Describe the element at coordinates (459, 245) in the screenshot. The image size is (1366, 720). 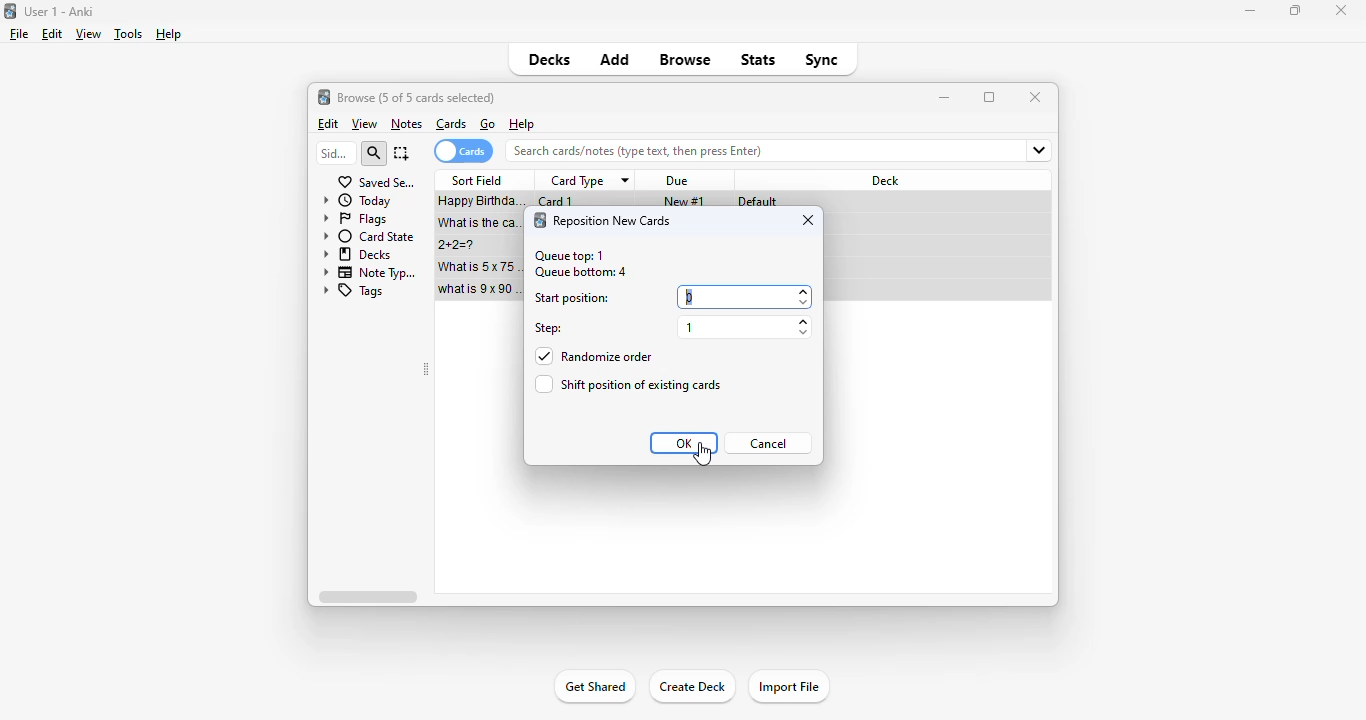
I see `2+2=?` at that location.